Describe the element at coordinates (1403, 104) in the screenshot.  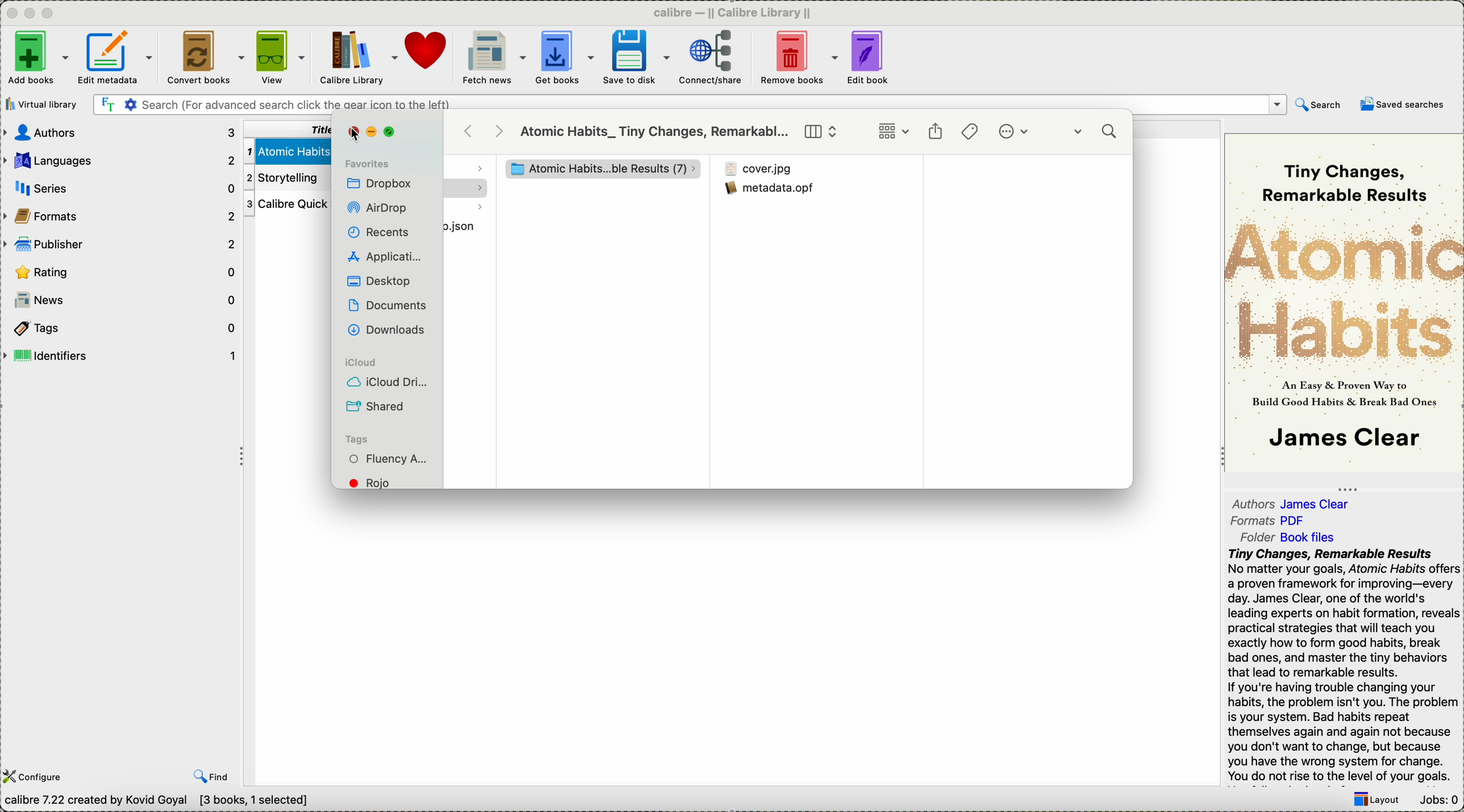
I see `saved searches` at that location.